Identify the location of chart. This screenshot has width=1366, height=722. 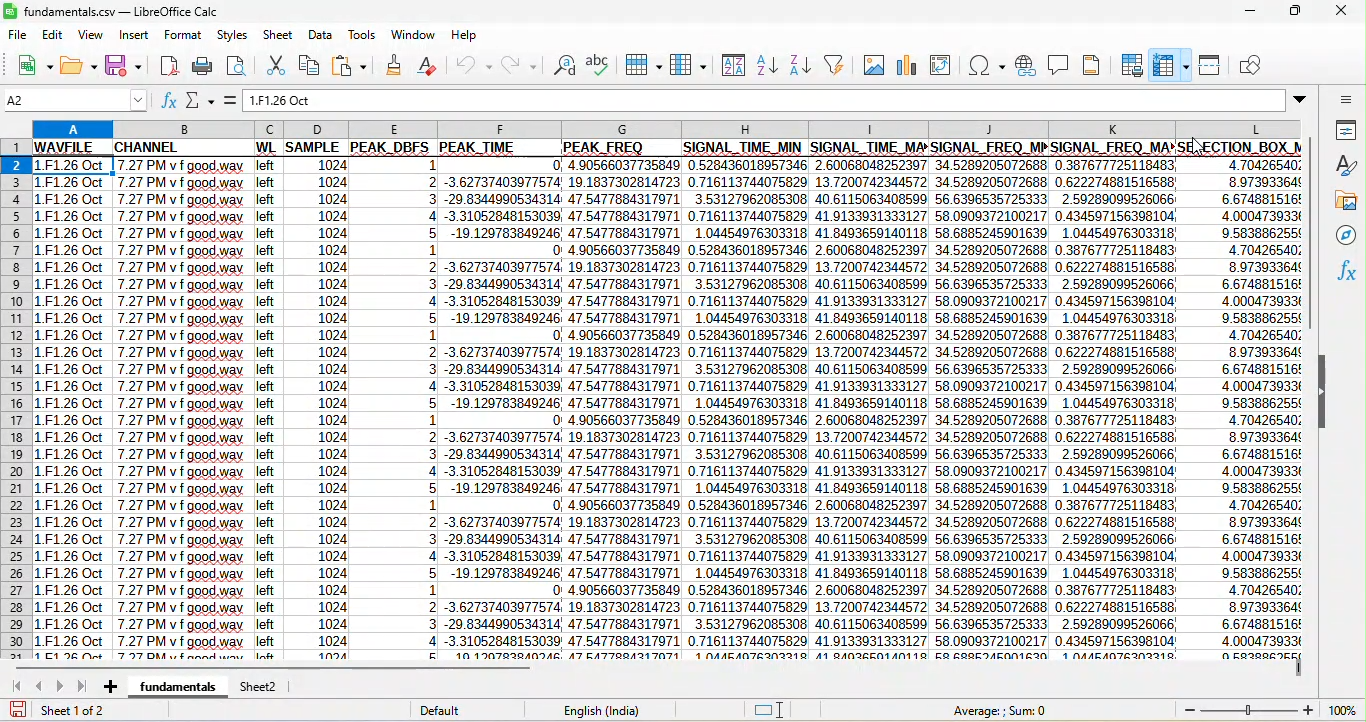
(905, 65).